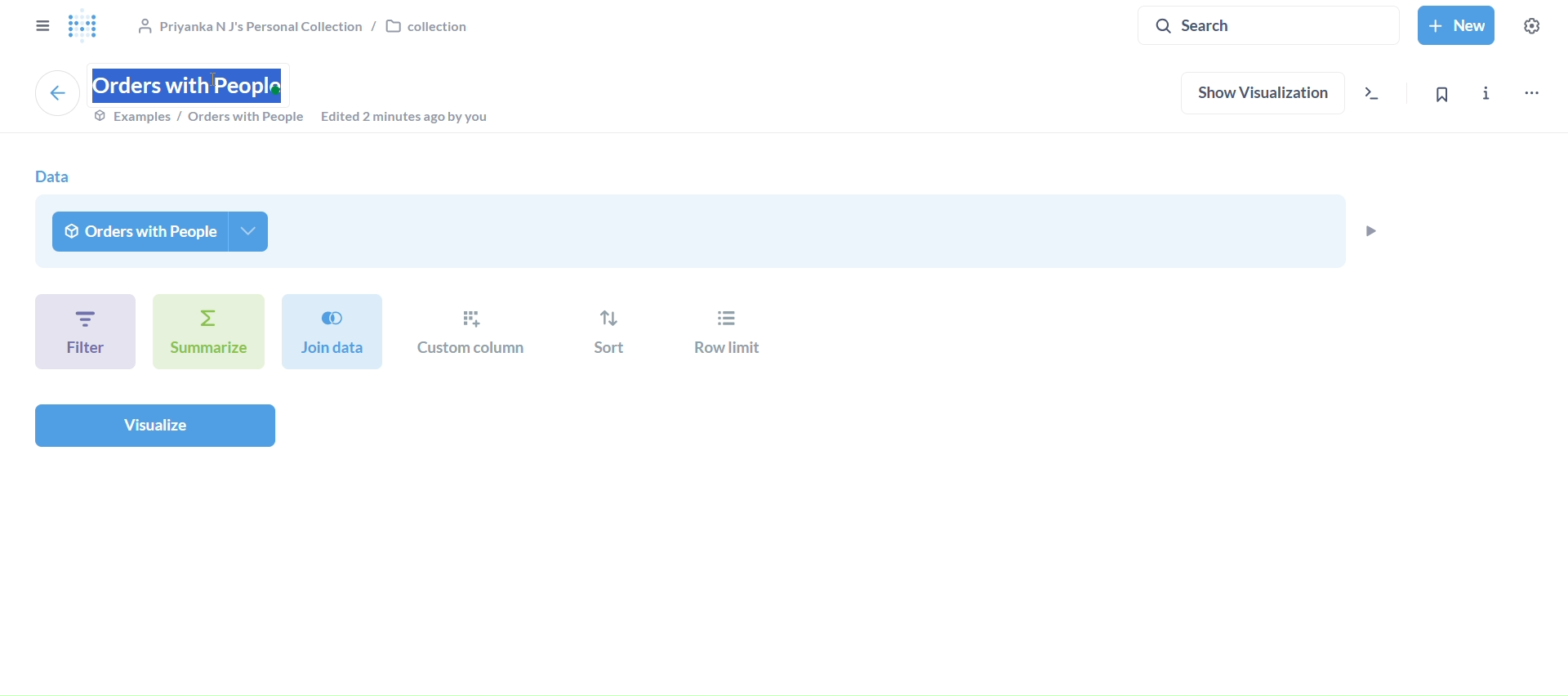  What do you see at coordinates (333, 330) in the screenshot?
I see `join data` at bounding box center [333, 330].